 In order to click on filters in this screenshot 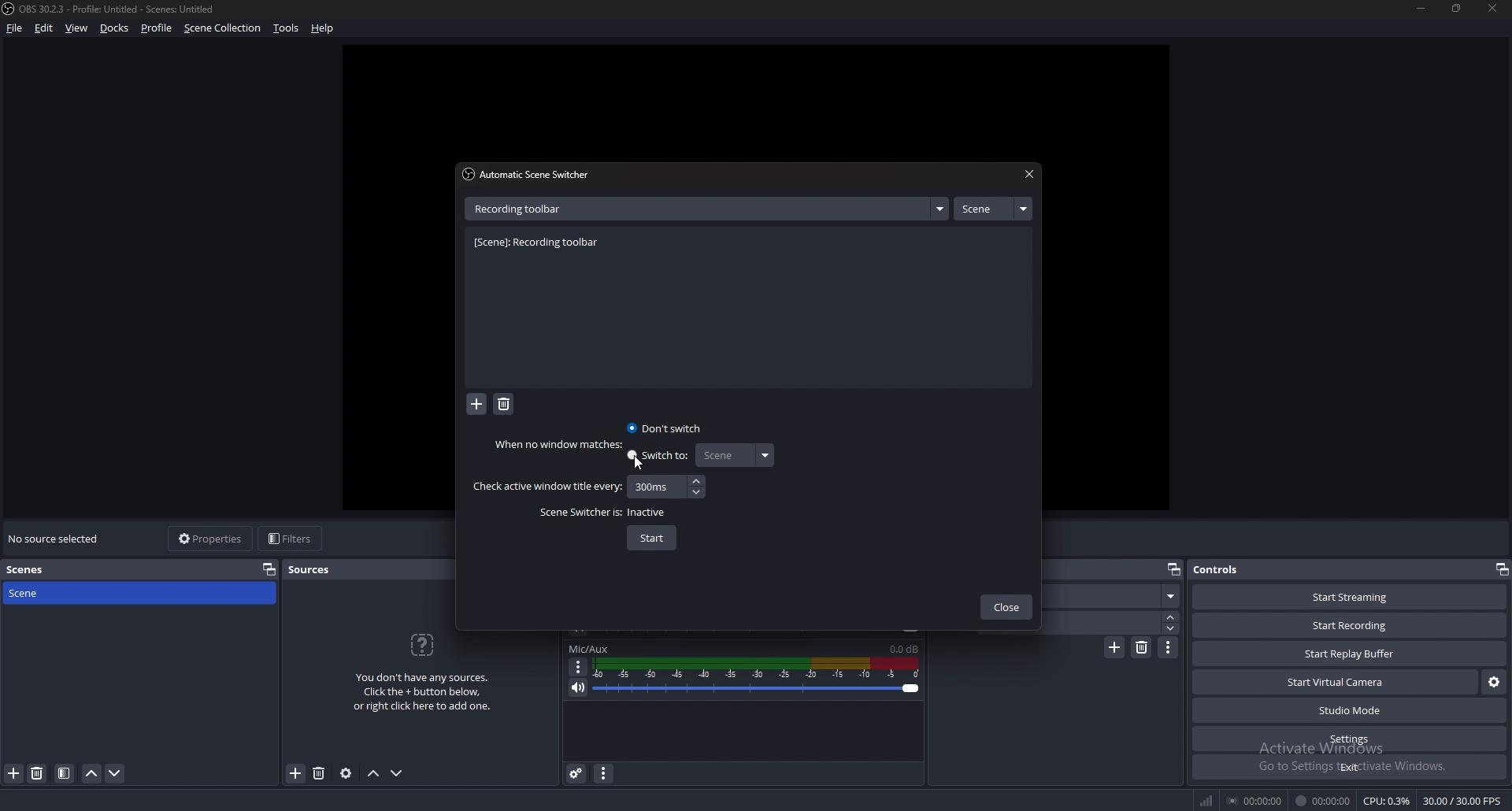, I will do `click(292, 538)`.